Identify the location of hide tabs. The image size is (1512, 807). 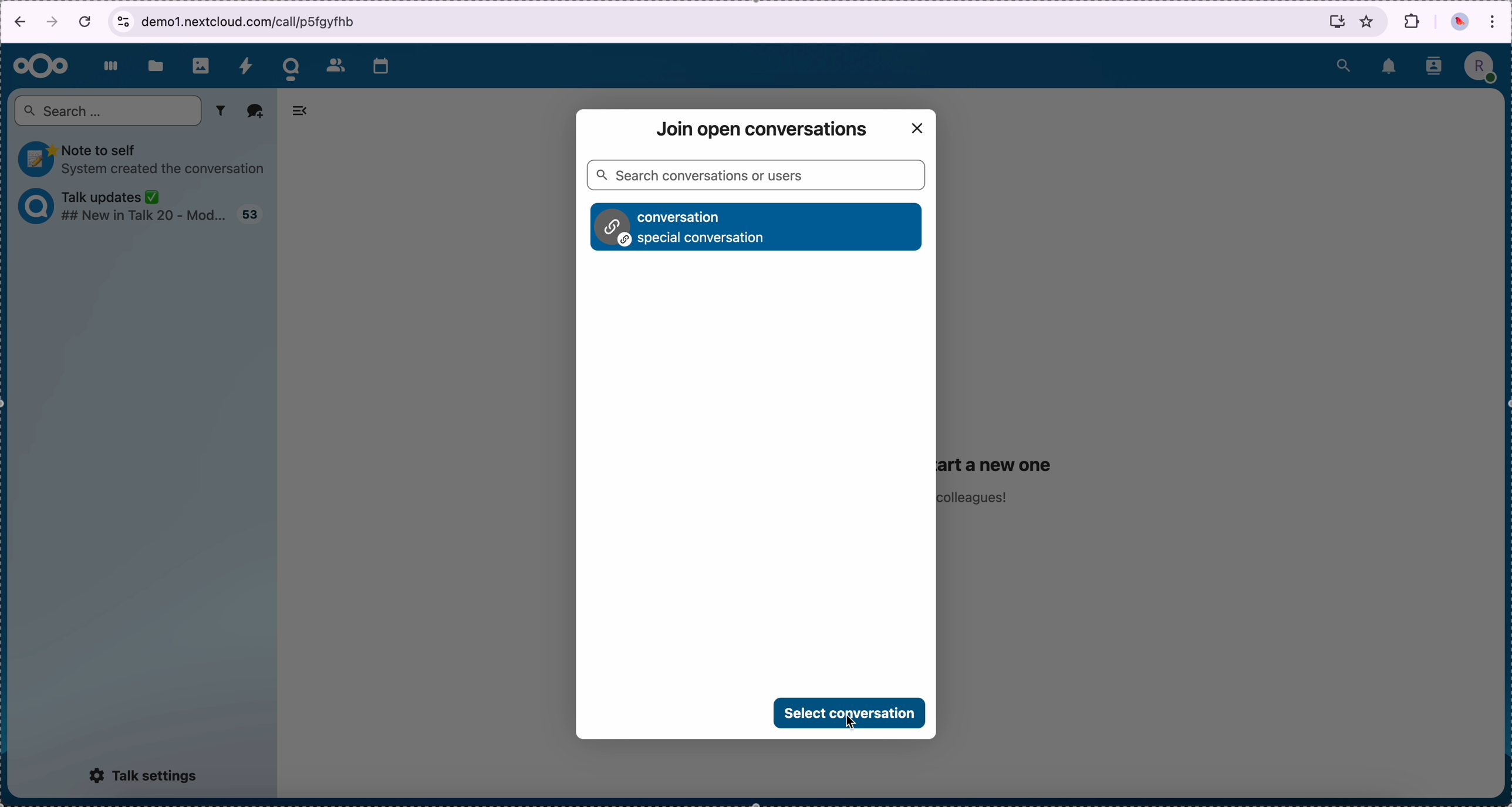
(301, 112).